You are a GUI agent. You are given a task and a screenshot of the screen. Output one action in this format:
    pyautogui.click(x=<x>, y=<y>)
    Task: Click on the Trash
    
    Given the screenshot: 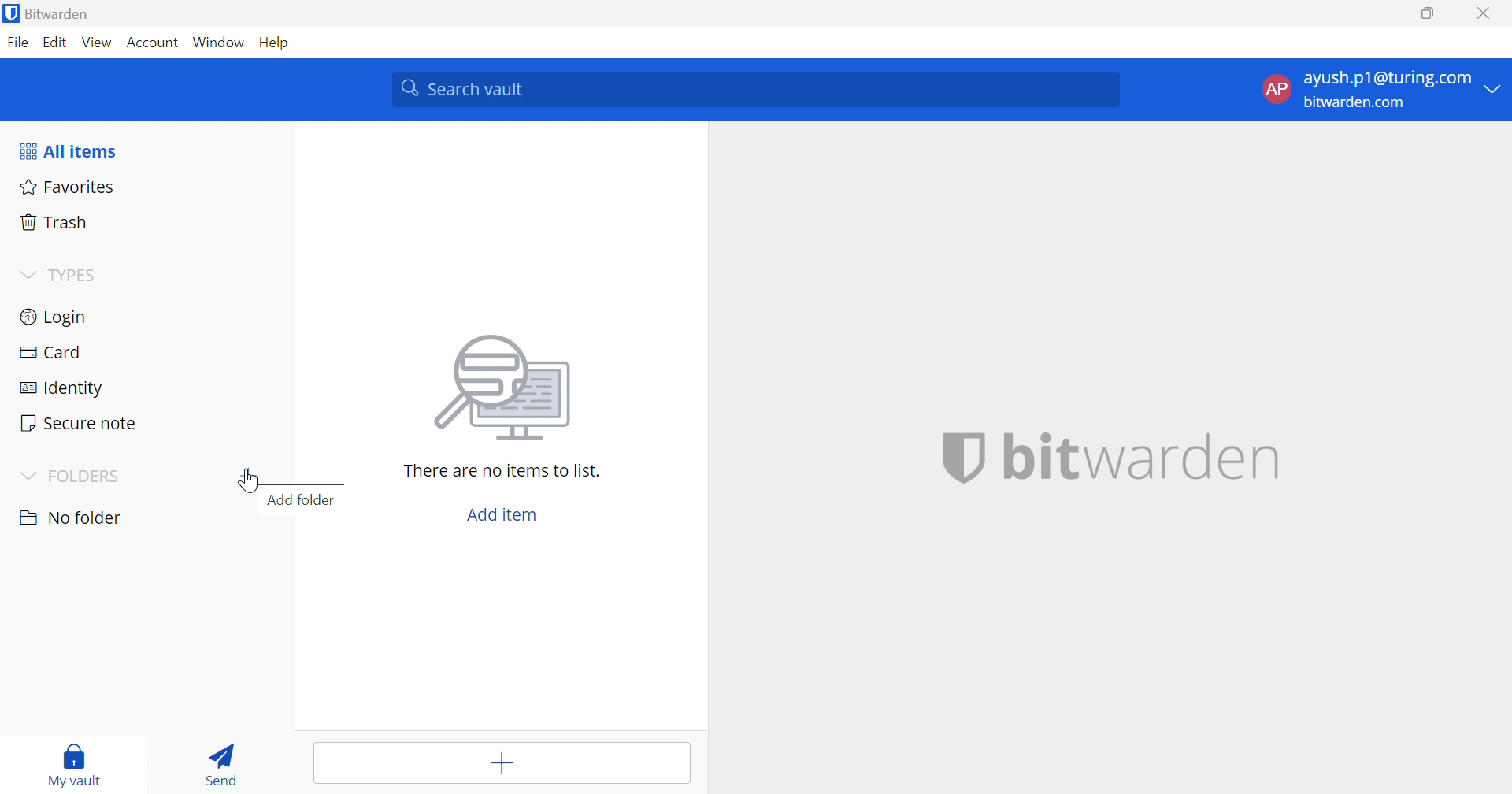 What is the action you would take?
    pyautogui.click(x=55, y=222)
    